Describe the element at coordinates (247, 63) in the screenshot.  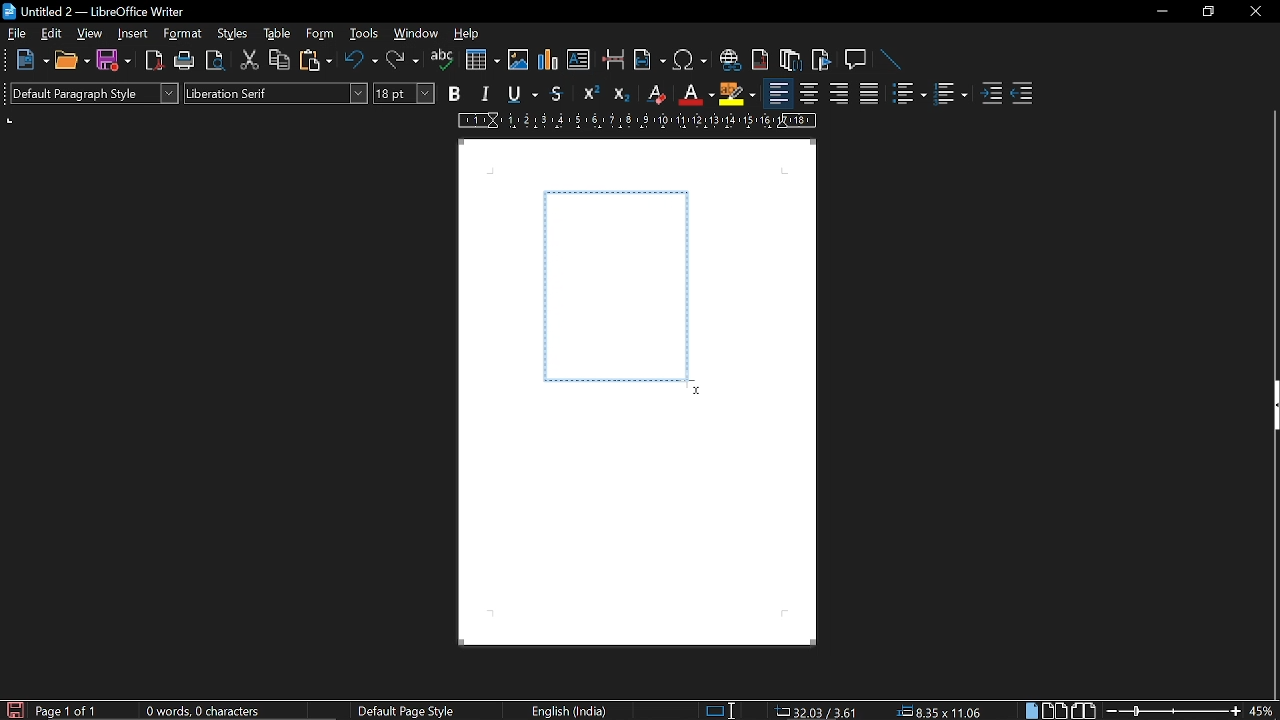
I see `cut` at that location.